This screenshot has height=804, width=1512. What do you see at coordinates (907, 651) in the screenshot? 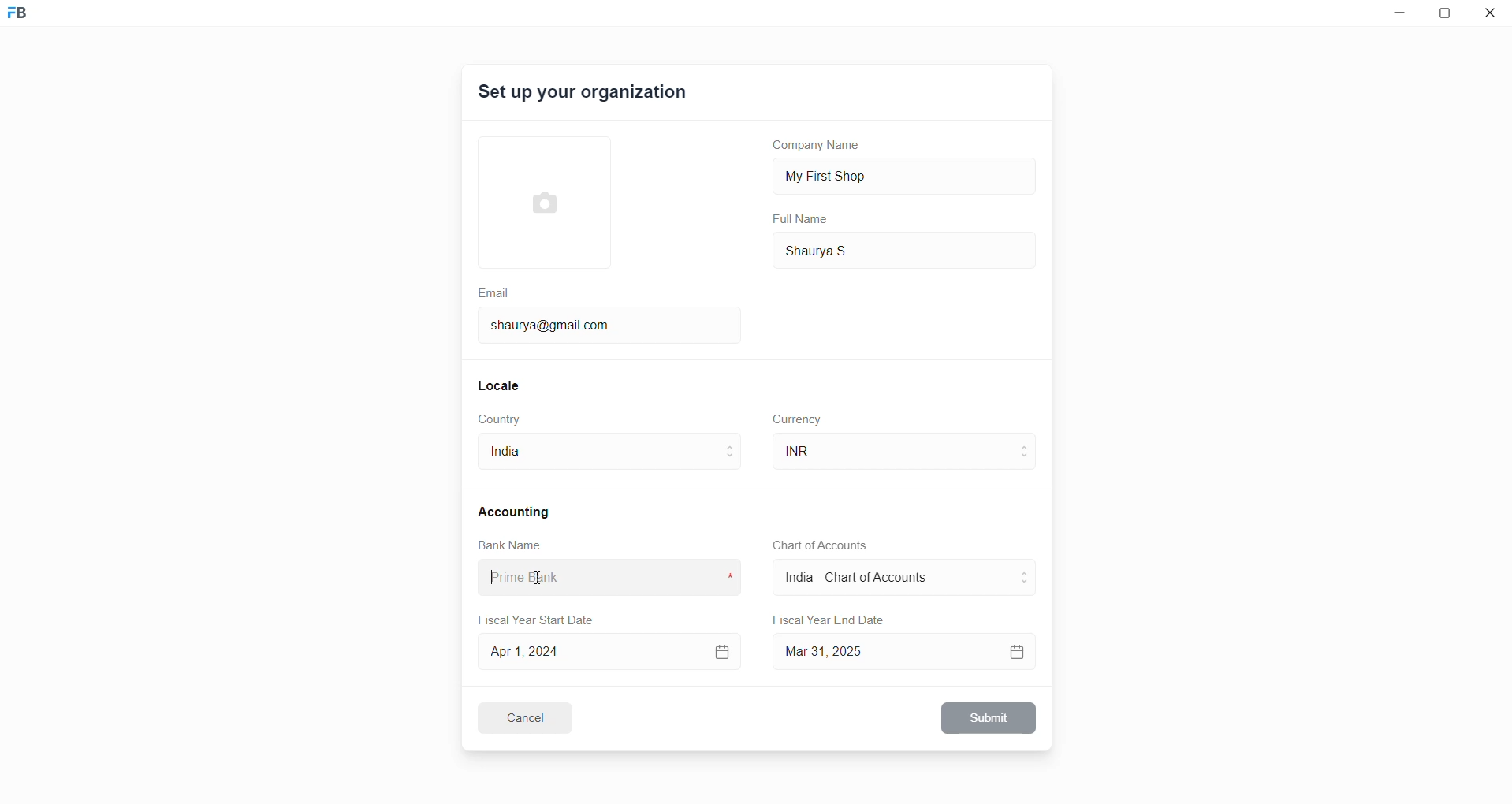
I see `Mar 31, 2025` at bounding box center [907, 651].